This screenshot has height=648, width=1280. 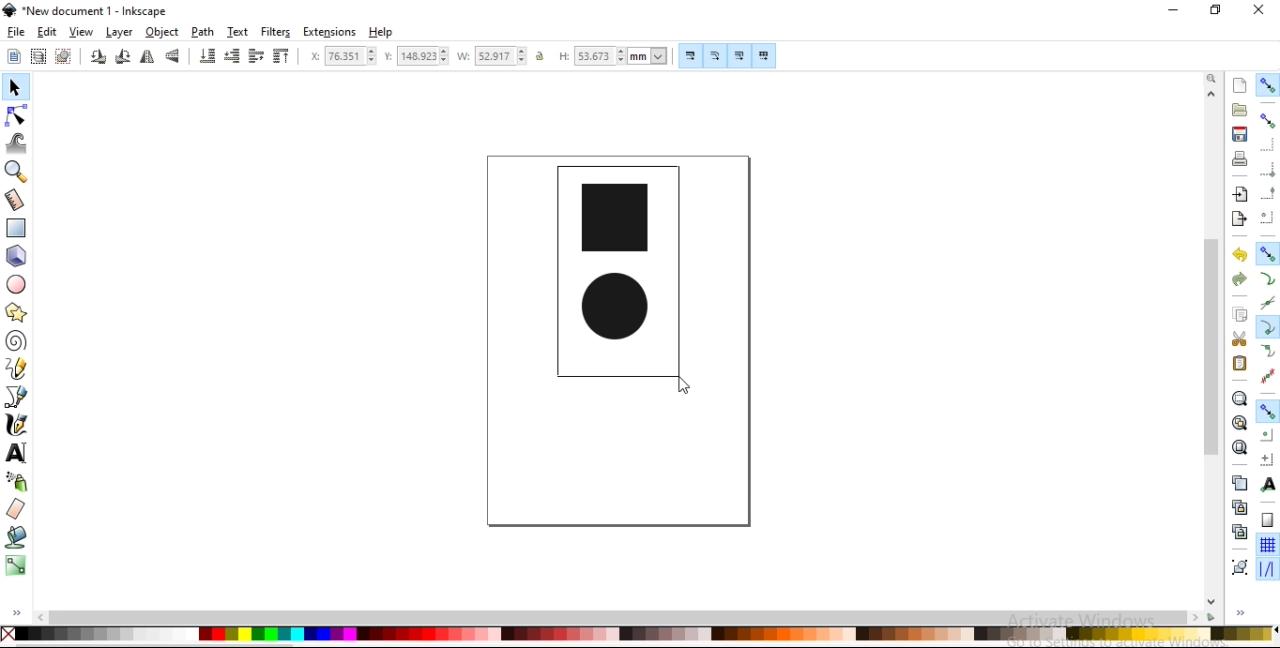 What do you see at coordinates (618, 616) in the screenshot?
I see `scrollbar` at bounding box center [618, 616].